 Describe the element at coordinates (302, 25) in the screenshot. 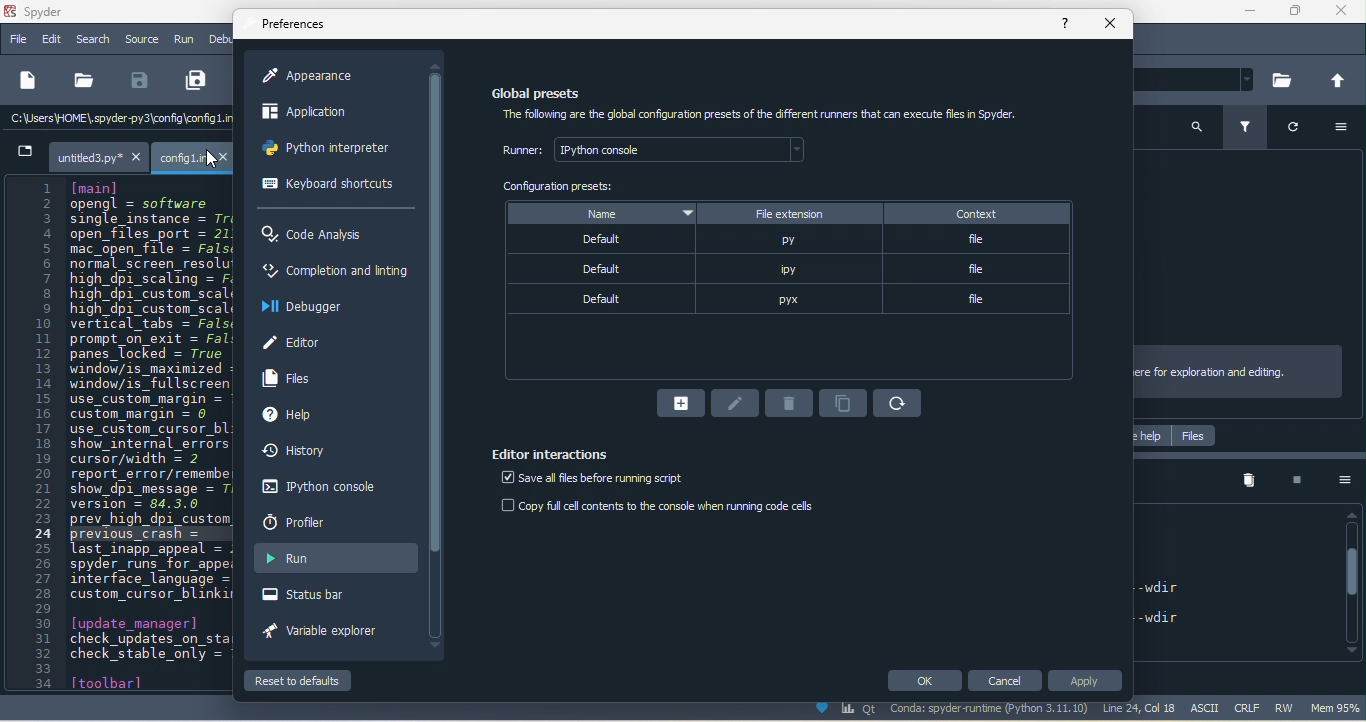

I see `preference` at that location.